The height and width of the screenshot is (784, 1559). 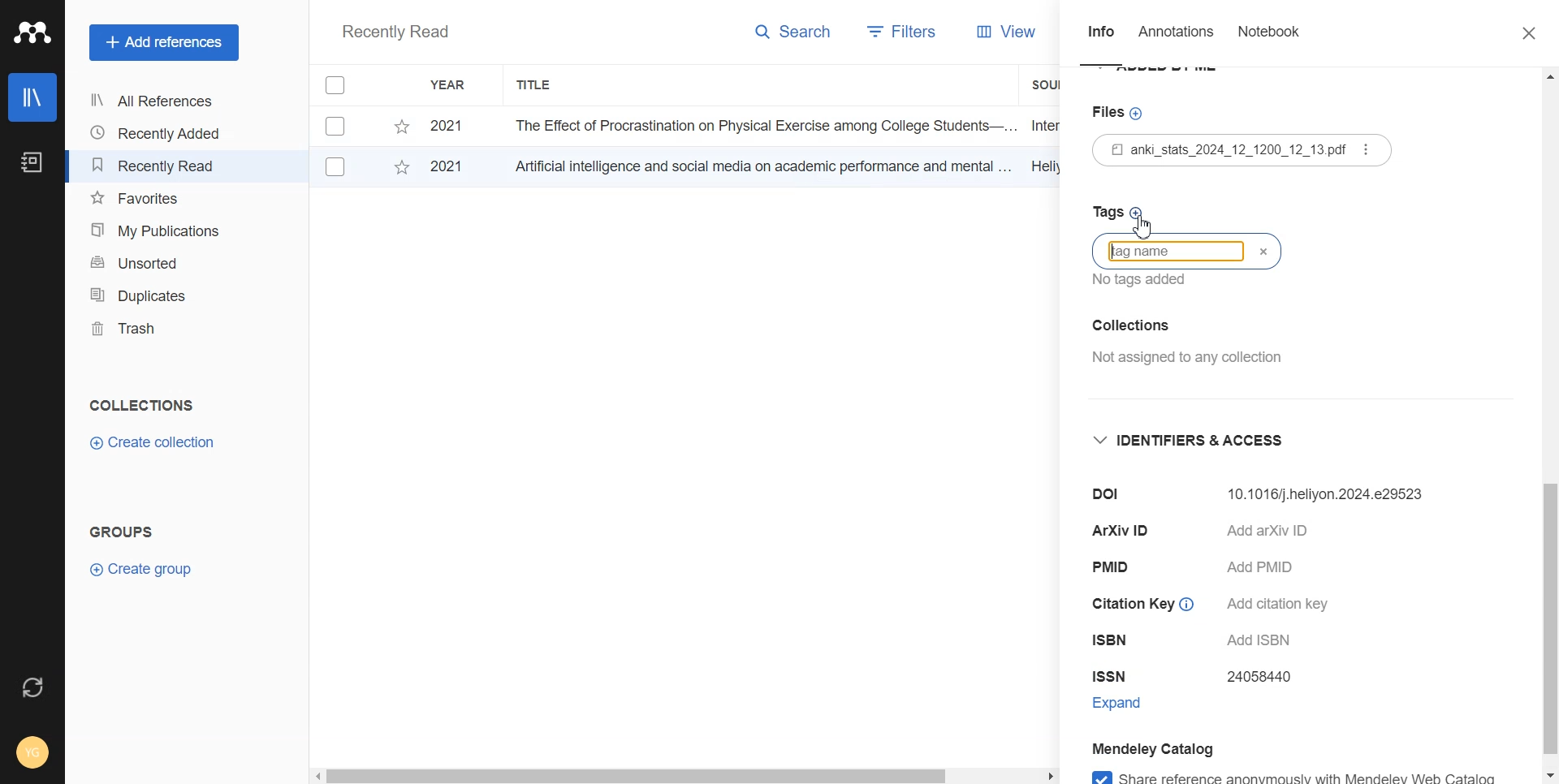 I want to click on Info, so click(x=1101, y=37).